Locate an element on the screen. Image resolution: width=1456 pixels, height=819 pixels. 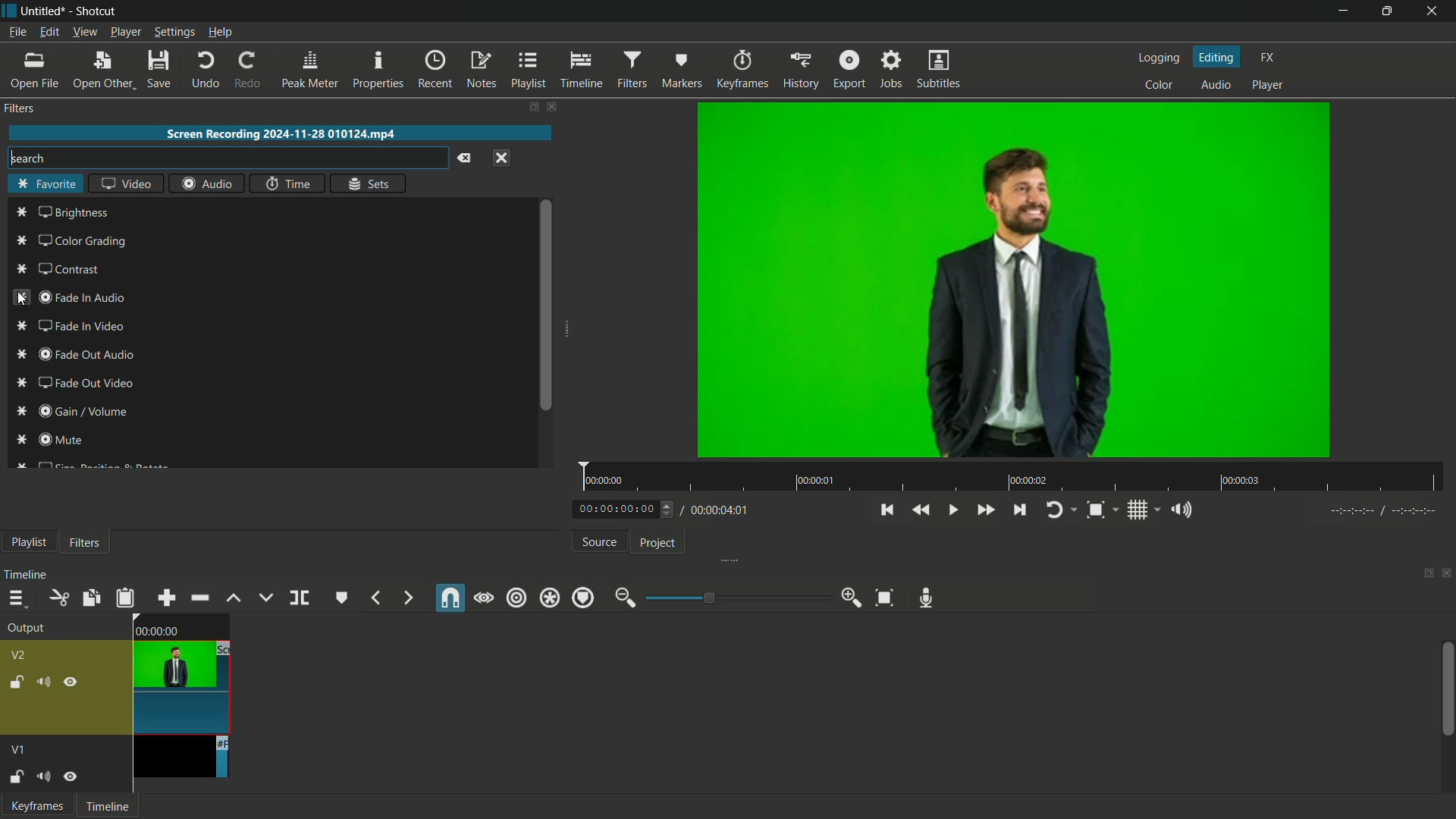
color grading is located at coordinates (74, 243).